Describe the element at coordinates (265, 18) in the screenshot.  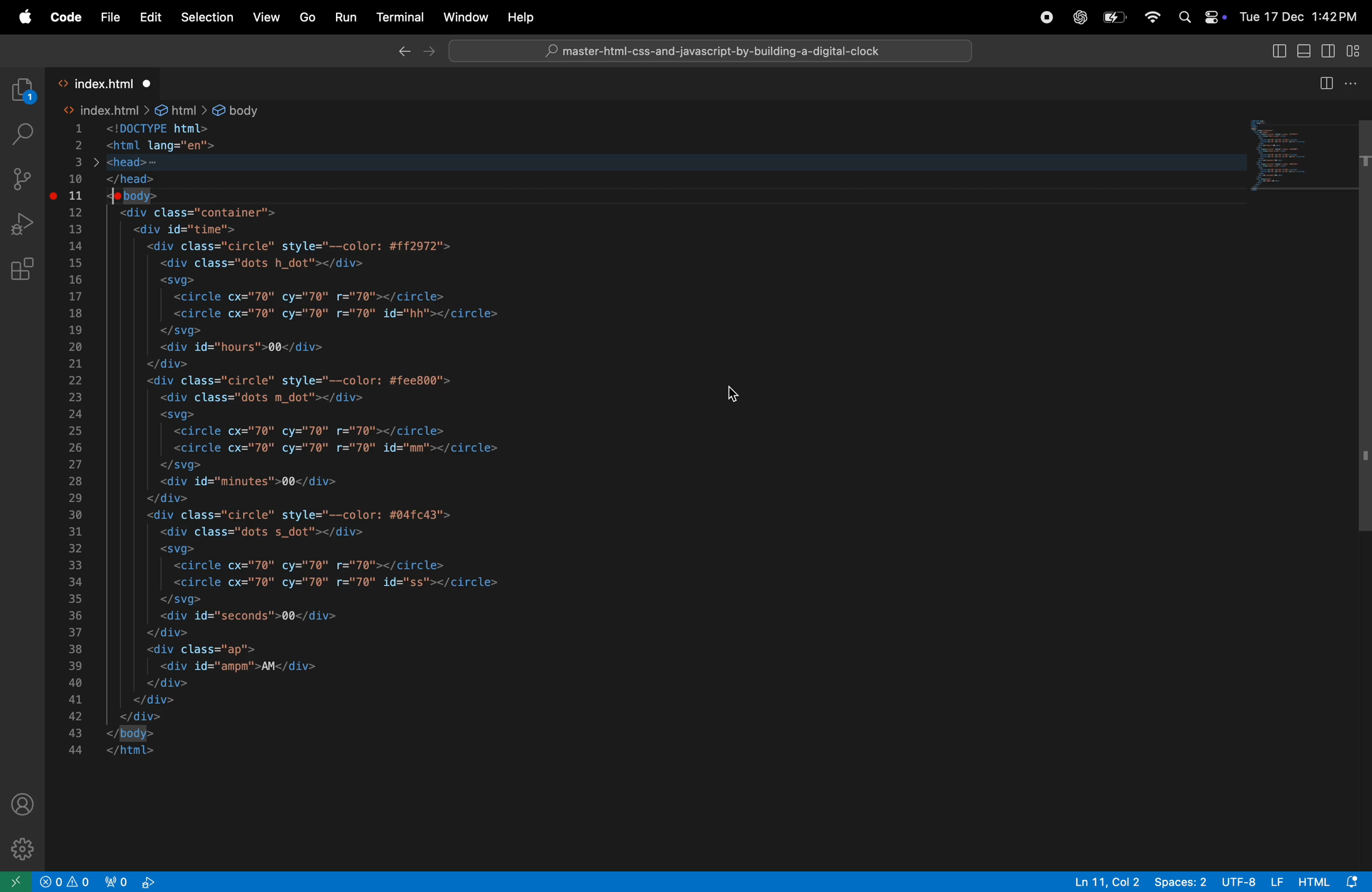
I see `View` at that location.